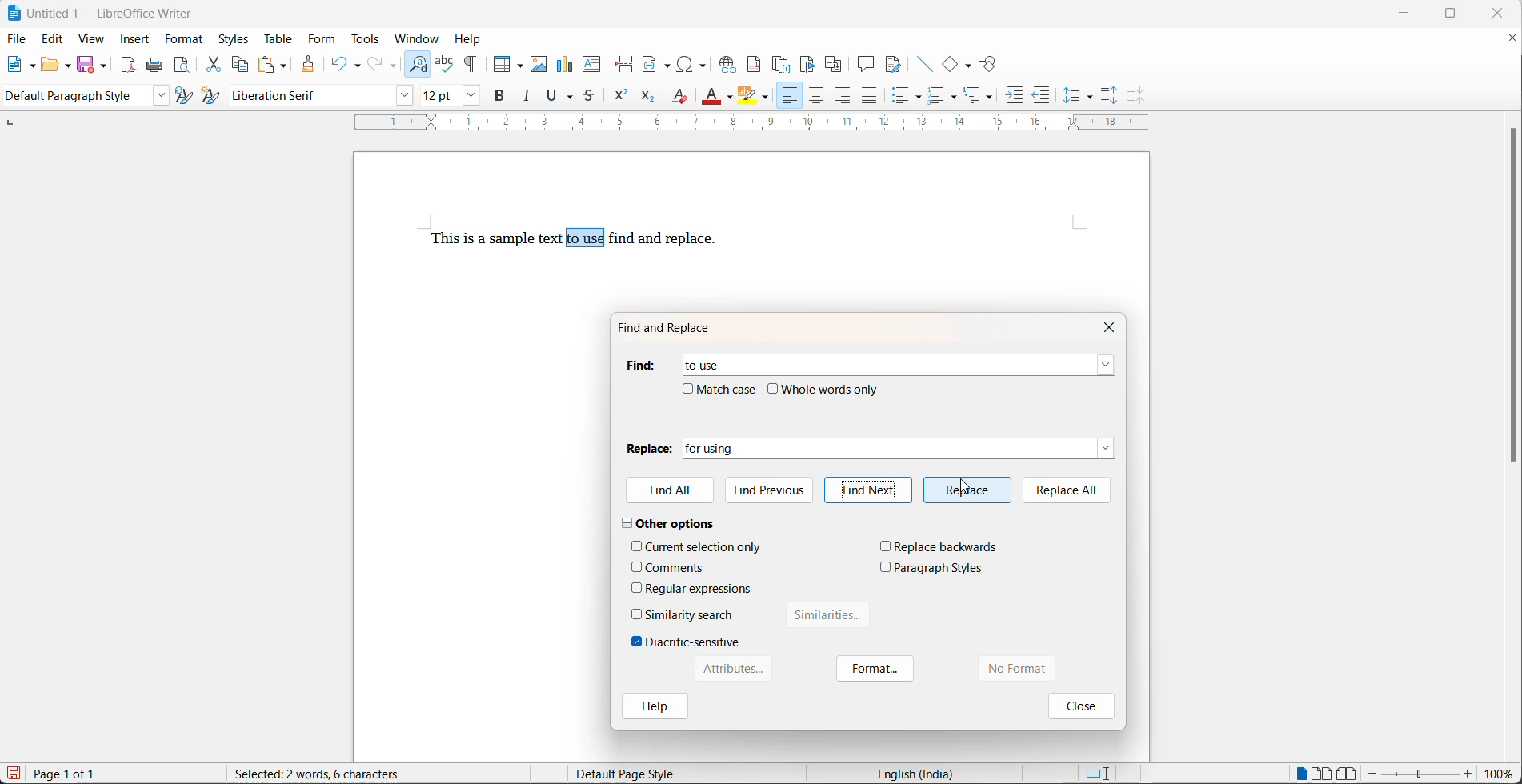  I want to click on edit, so click(54, 40).